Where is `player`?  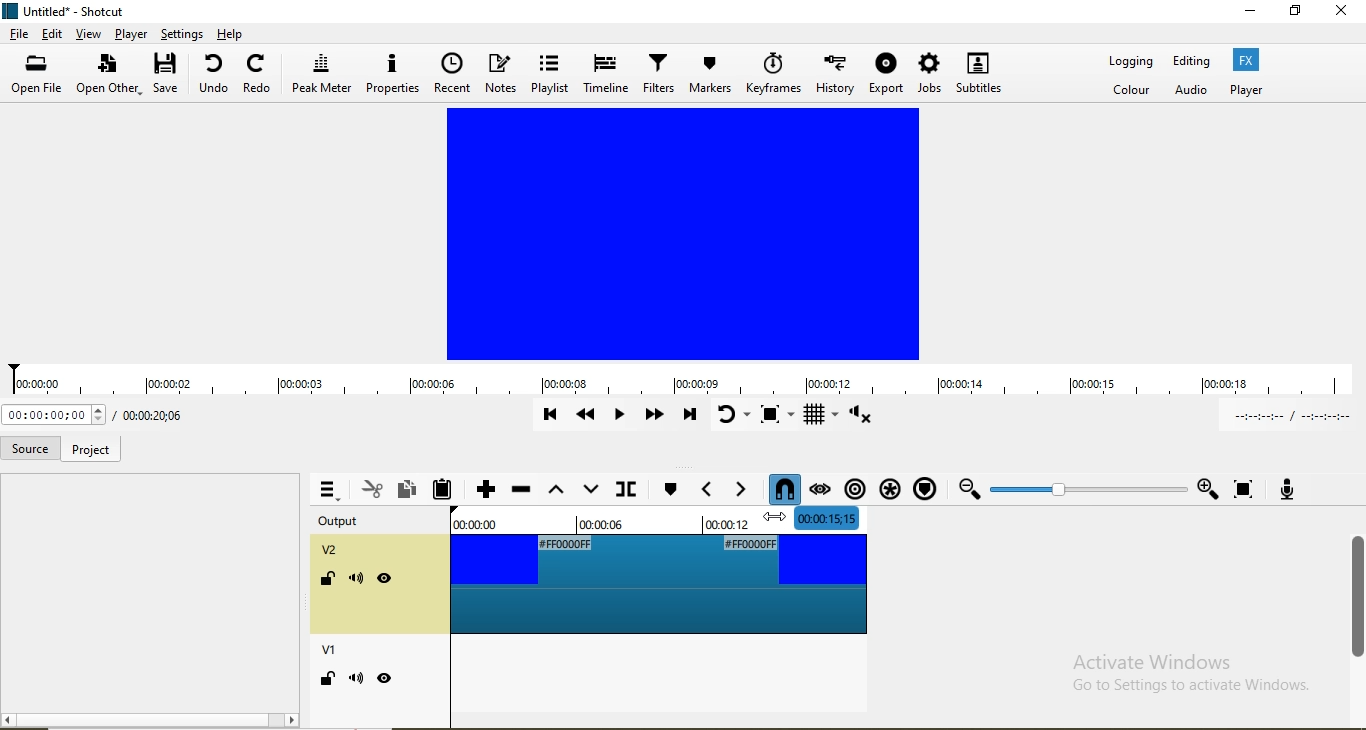
player is located at coordinates (129, 34).